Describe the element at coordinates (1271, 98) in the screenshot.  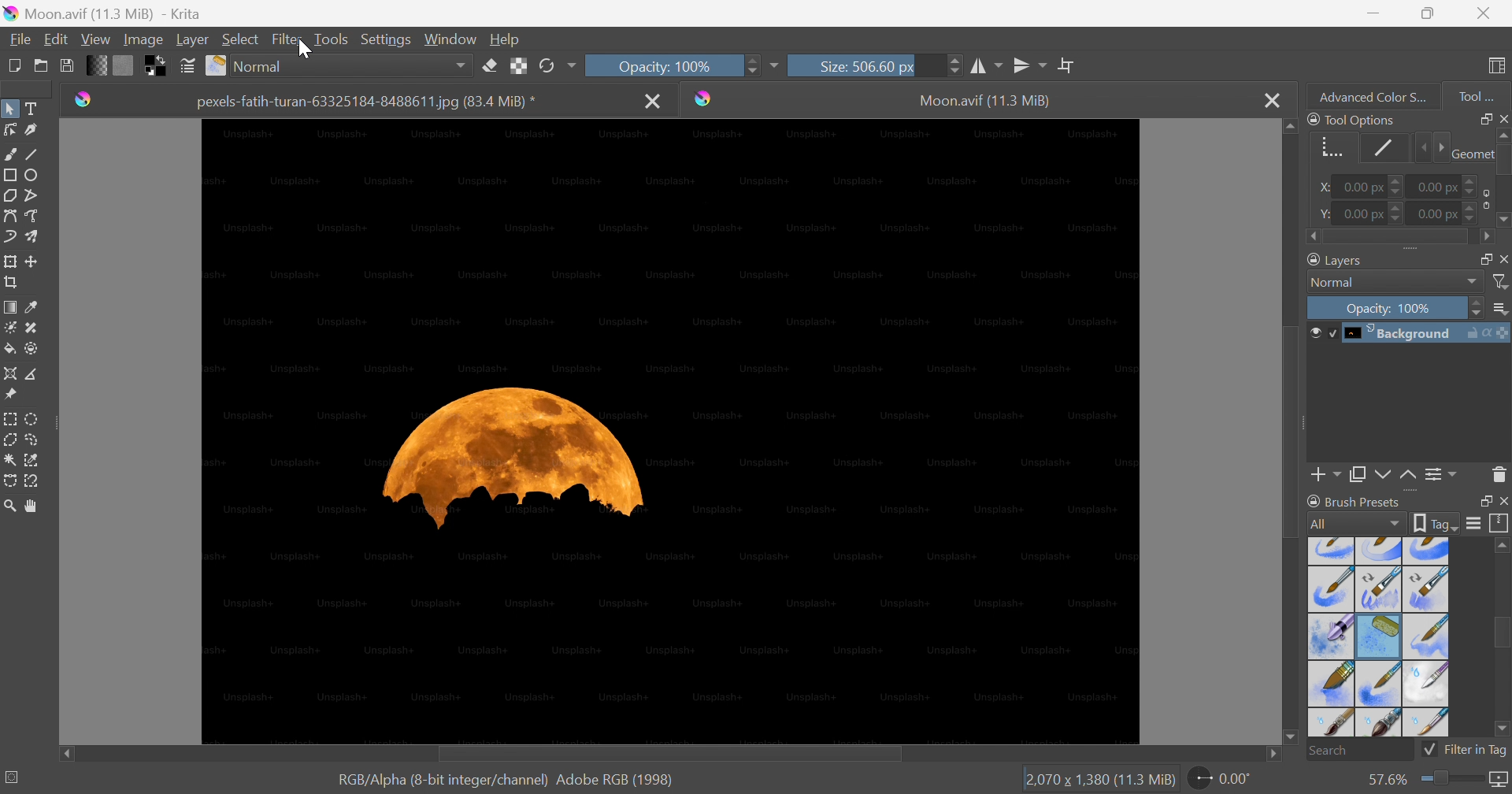
I see `Close` at that location.